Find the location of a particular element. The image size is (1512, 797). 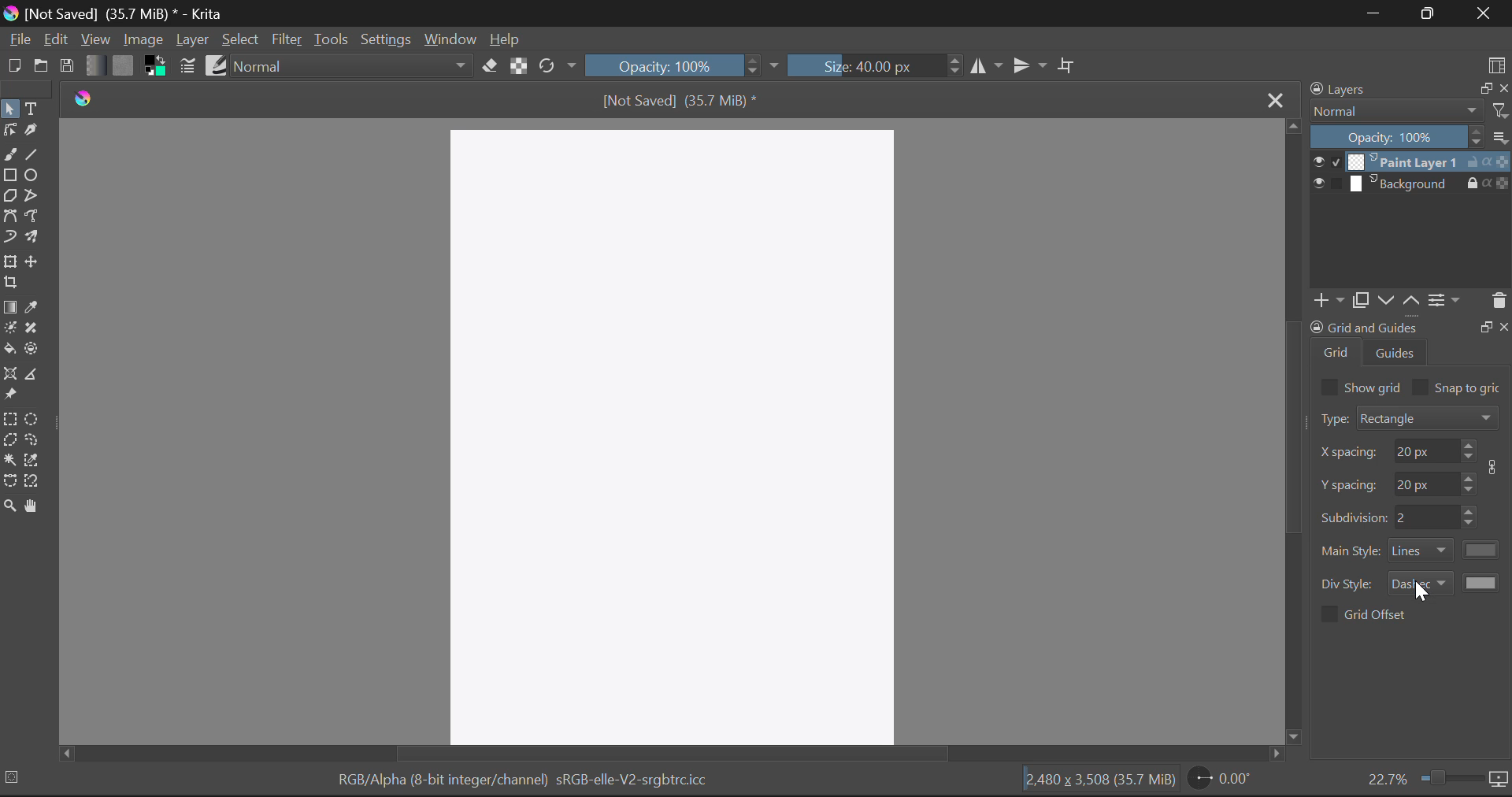

Colors in use is located at coordinates (156, 66).